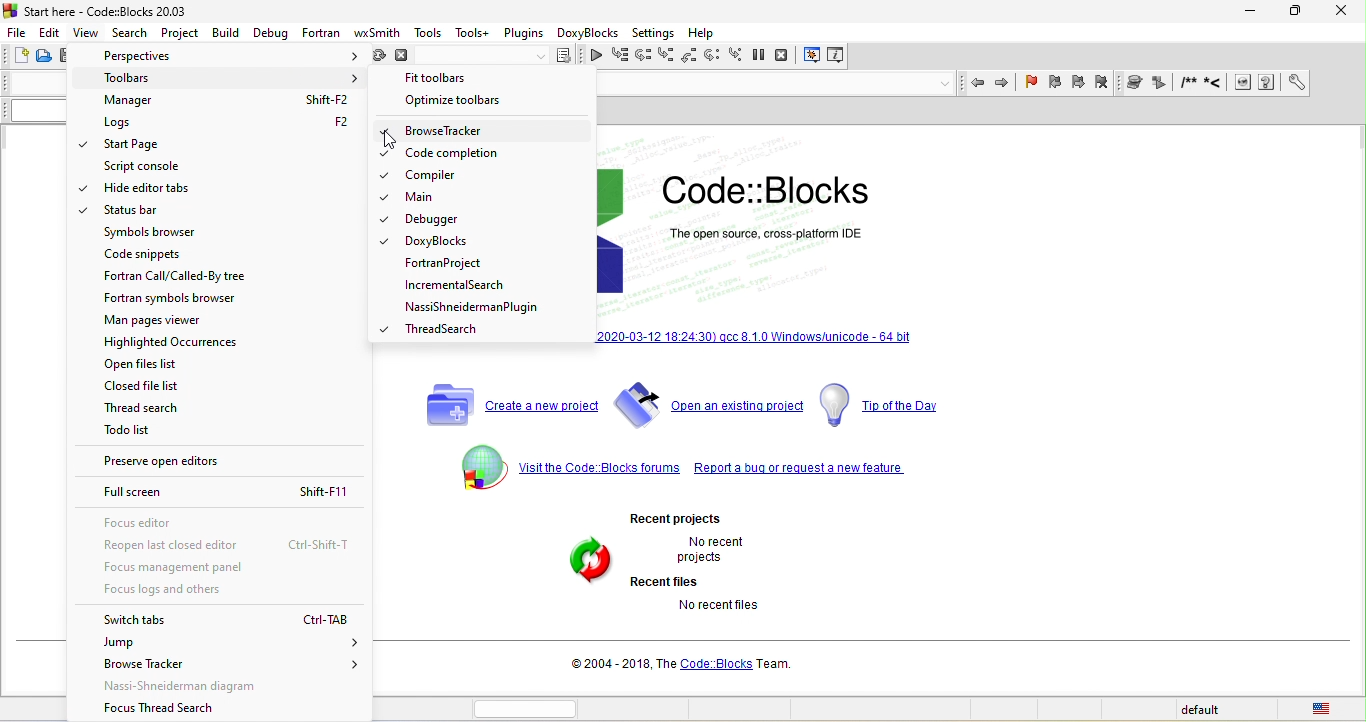  Describe the element at coordinates (596, 59) in the screenshot. I see `continue` at that location.